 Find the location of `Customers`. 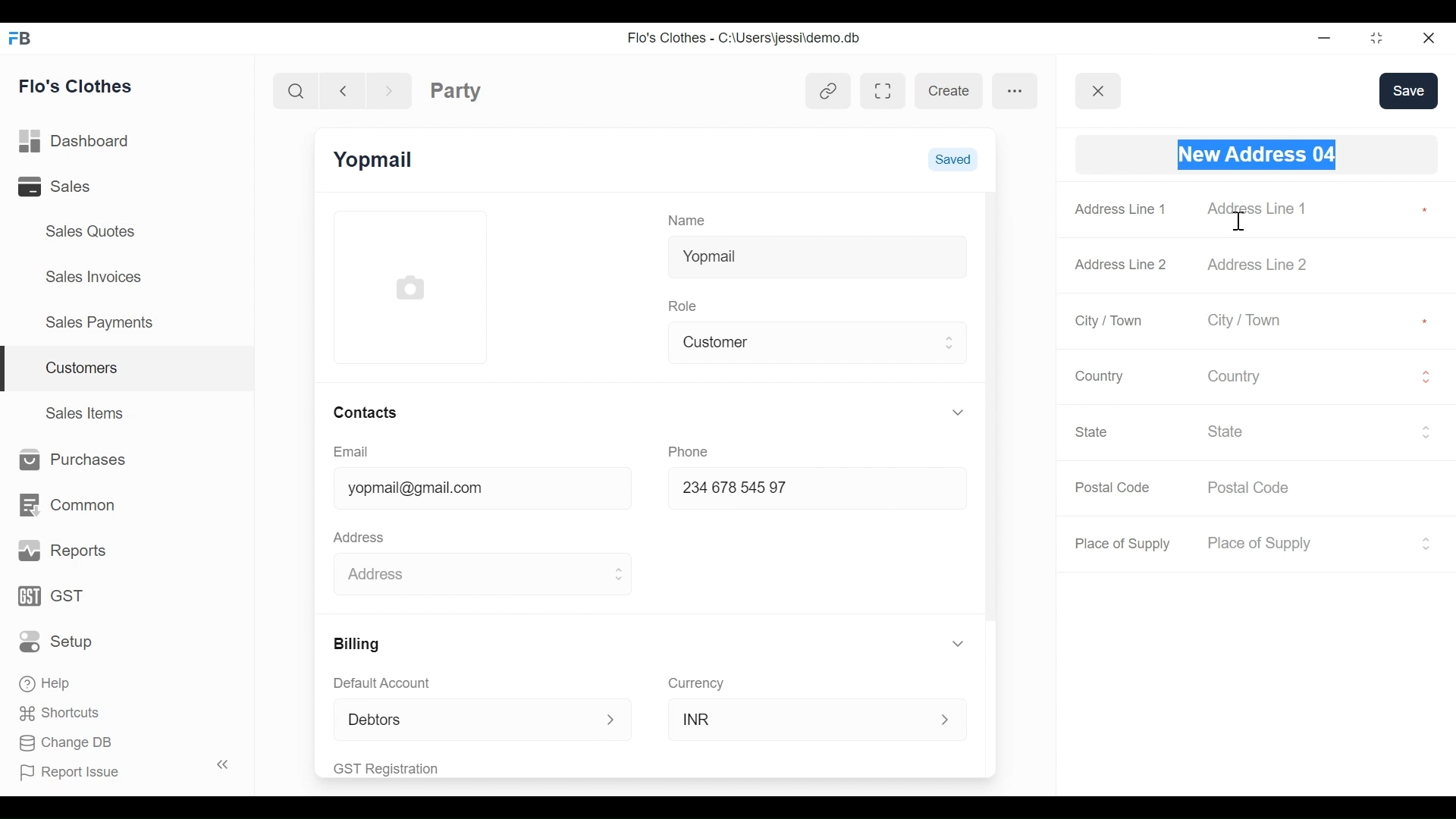

Customers is located at coordinates (129, 369).